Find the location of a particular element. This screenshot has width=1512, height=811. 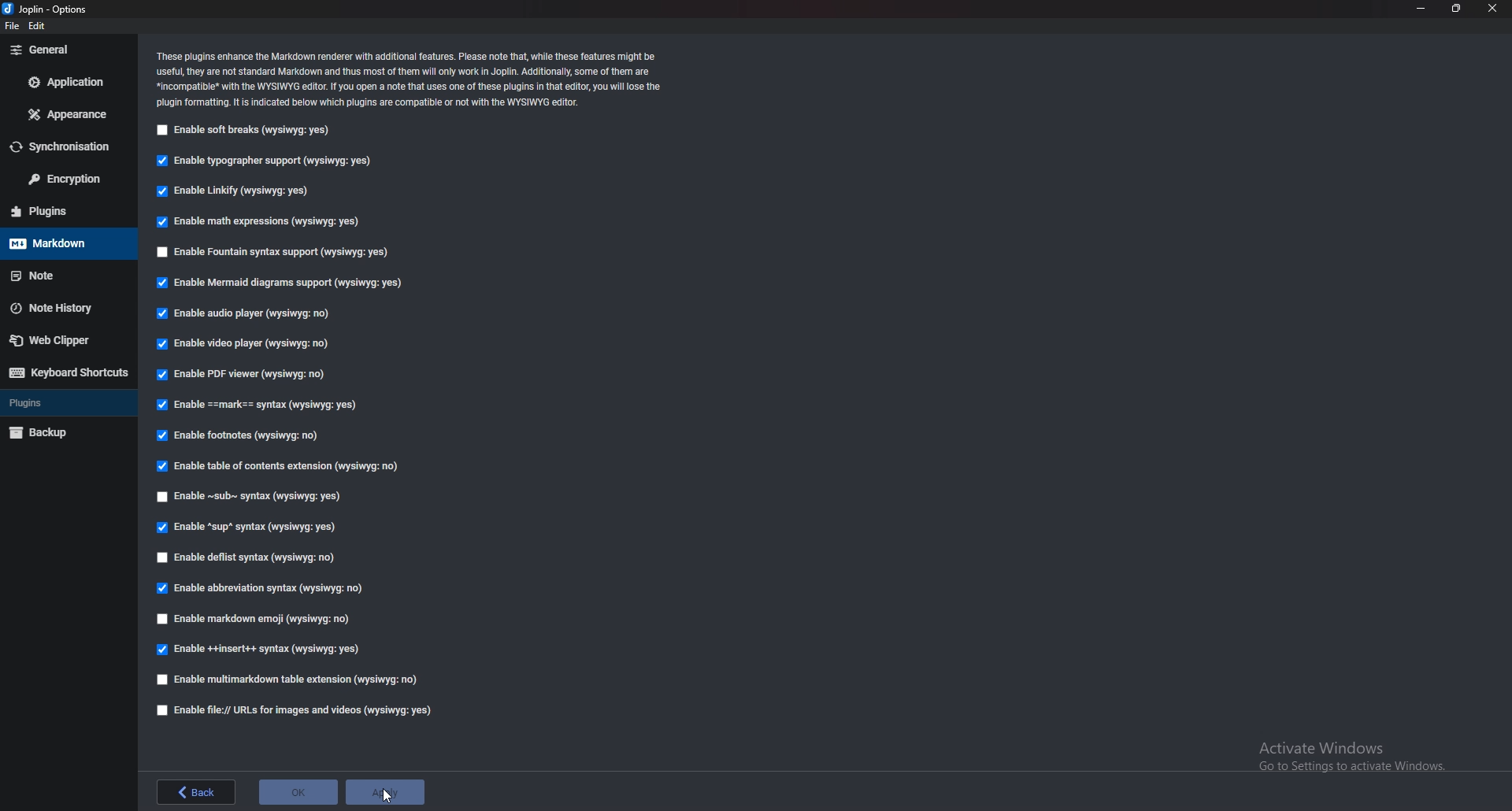

Enable sub syntax is located at coordinates (256, 495).